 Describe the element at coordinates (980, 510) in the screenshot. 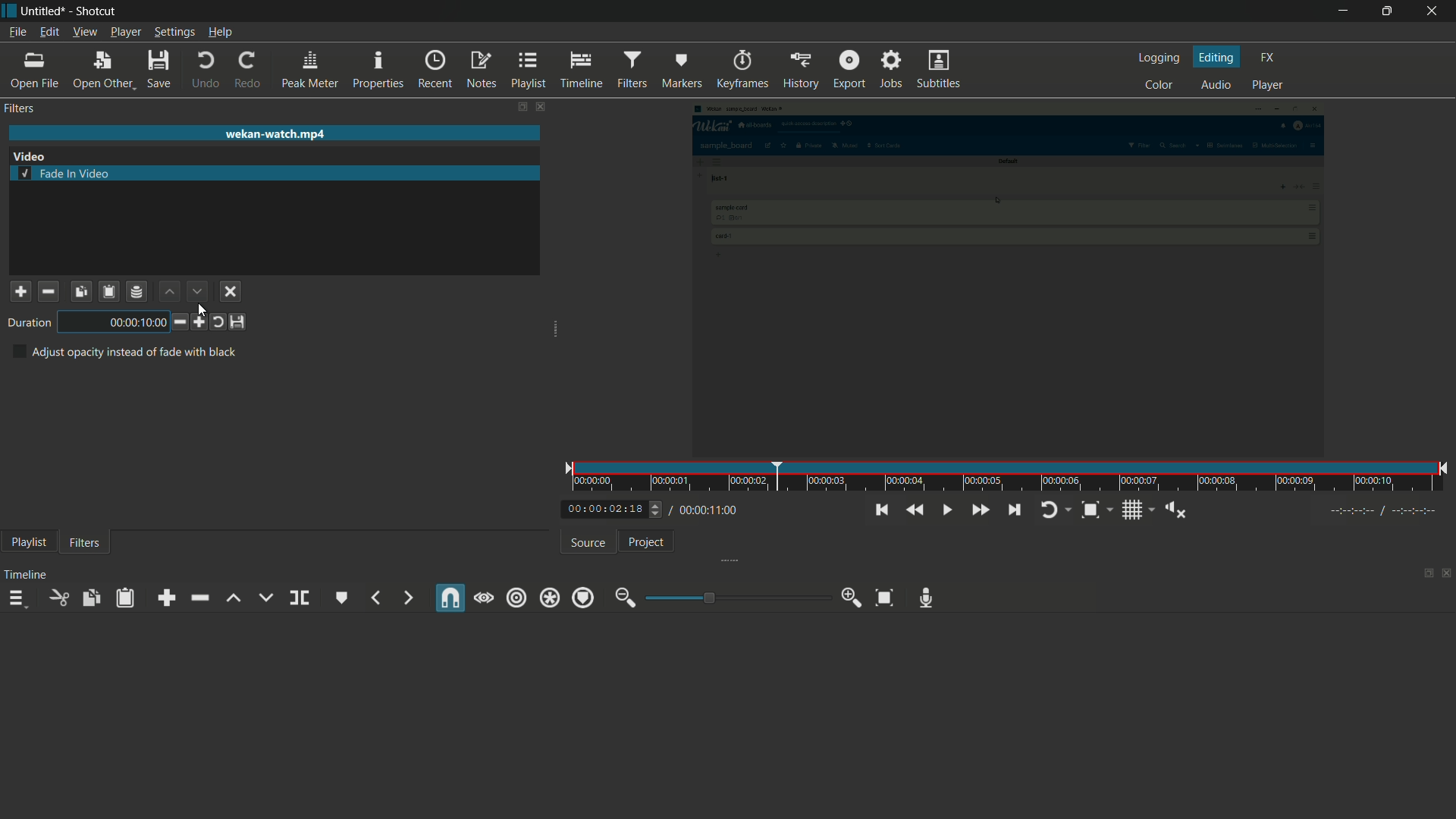

I see `quickly play forward` at that location.